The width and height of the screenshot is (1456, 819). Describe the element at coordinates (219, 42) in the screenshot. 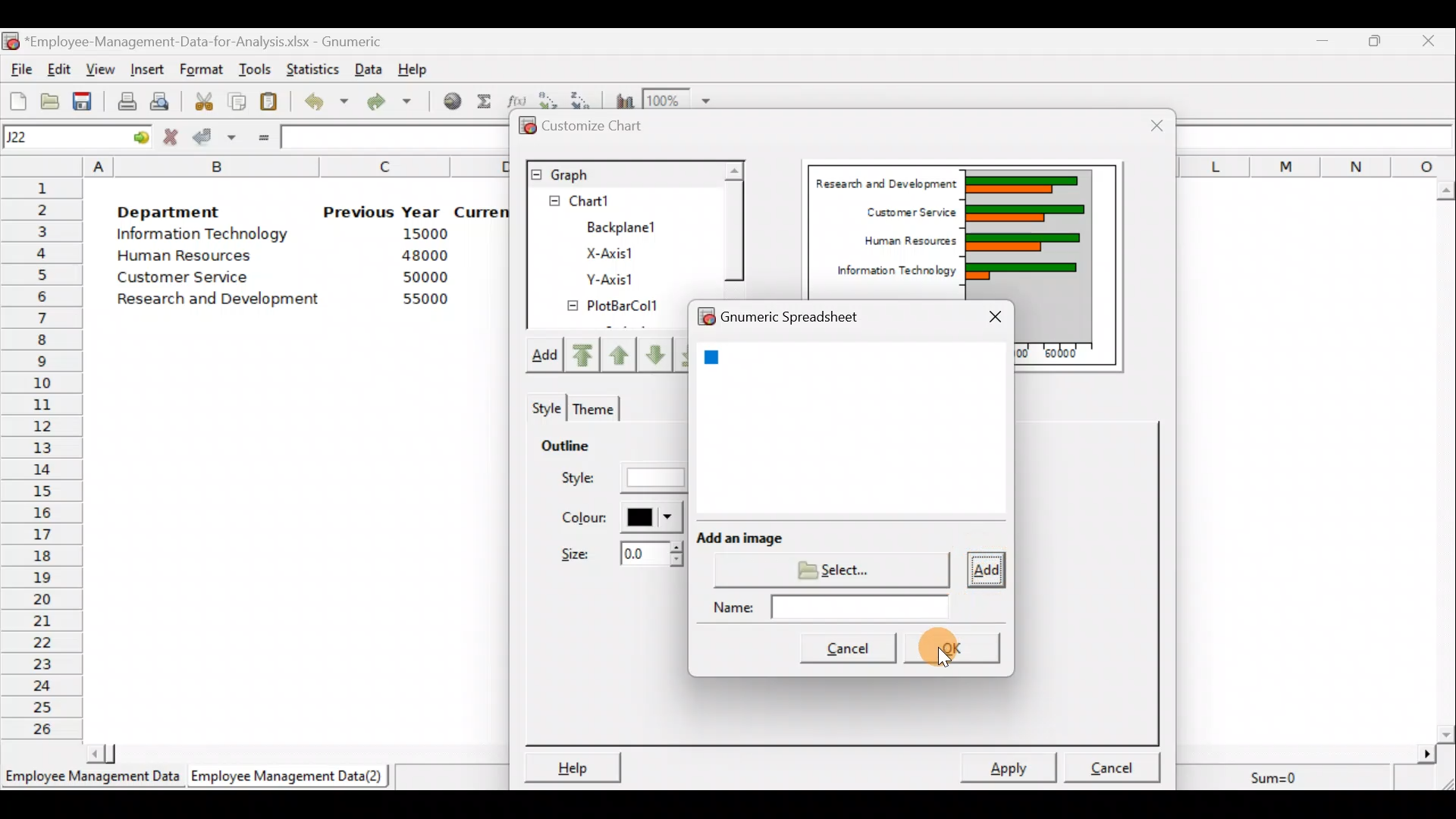

I see `‘Employee-Management-Data-for-Analysis.xlsx - Gnumeric` at that location.